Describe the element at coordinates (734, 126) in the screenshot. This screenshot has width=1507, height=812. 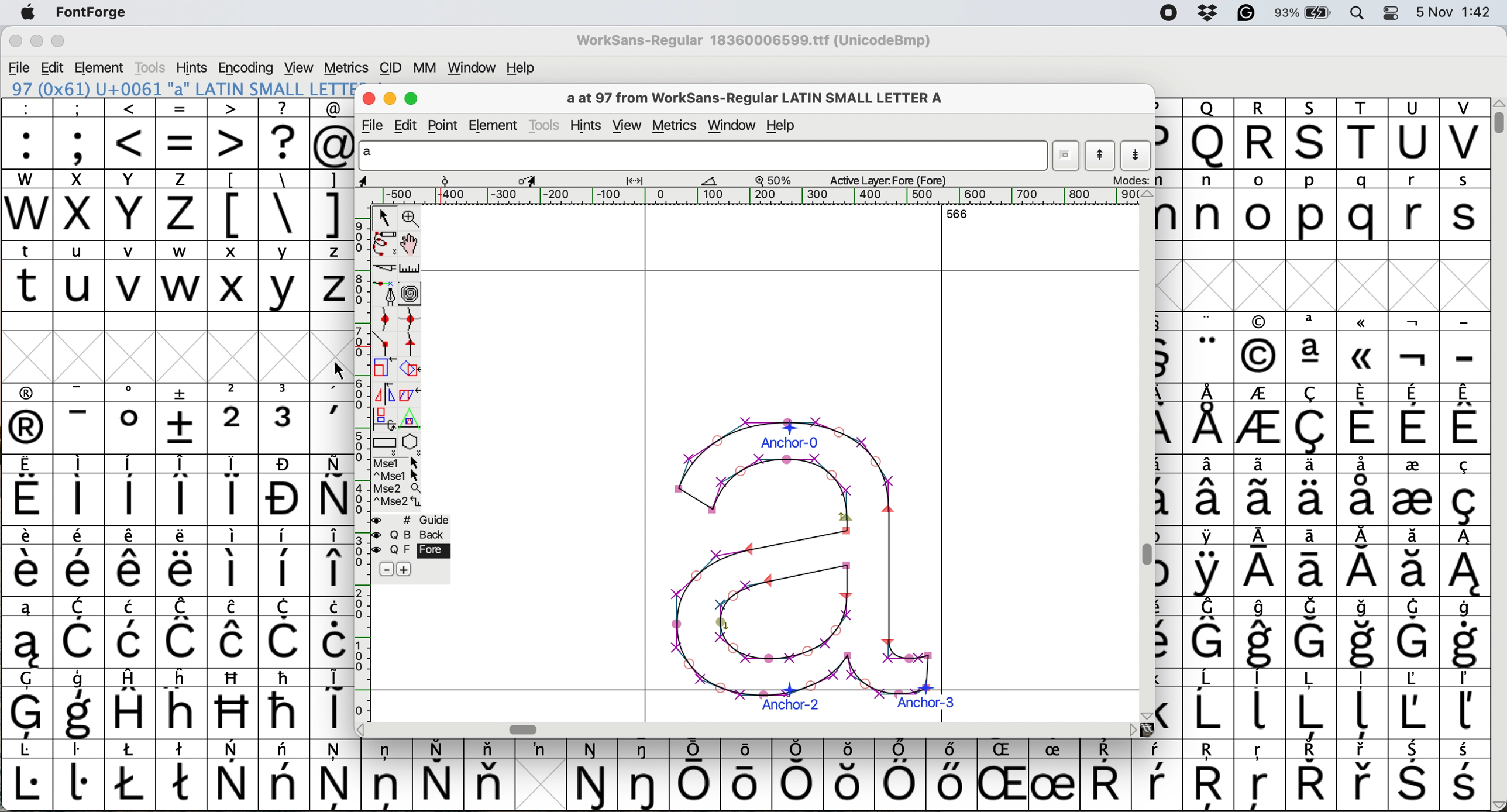
I see `window` at that location.